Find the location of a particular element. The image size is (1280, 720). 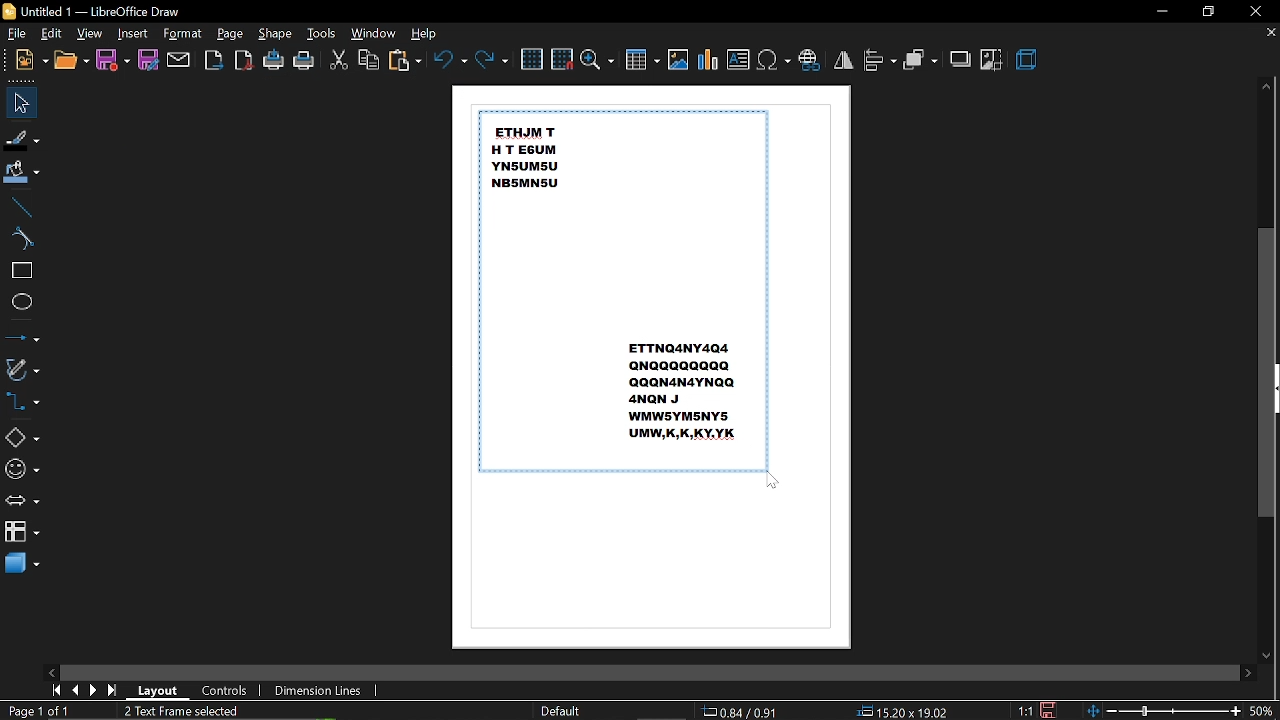

fill line is located at coordinates (23, 138).